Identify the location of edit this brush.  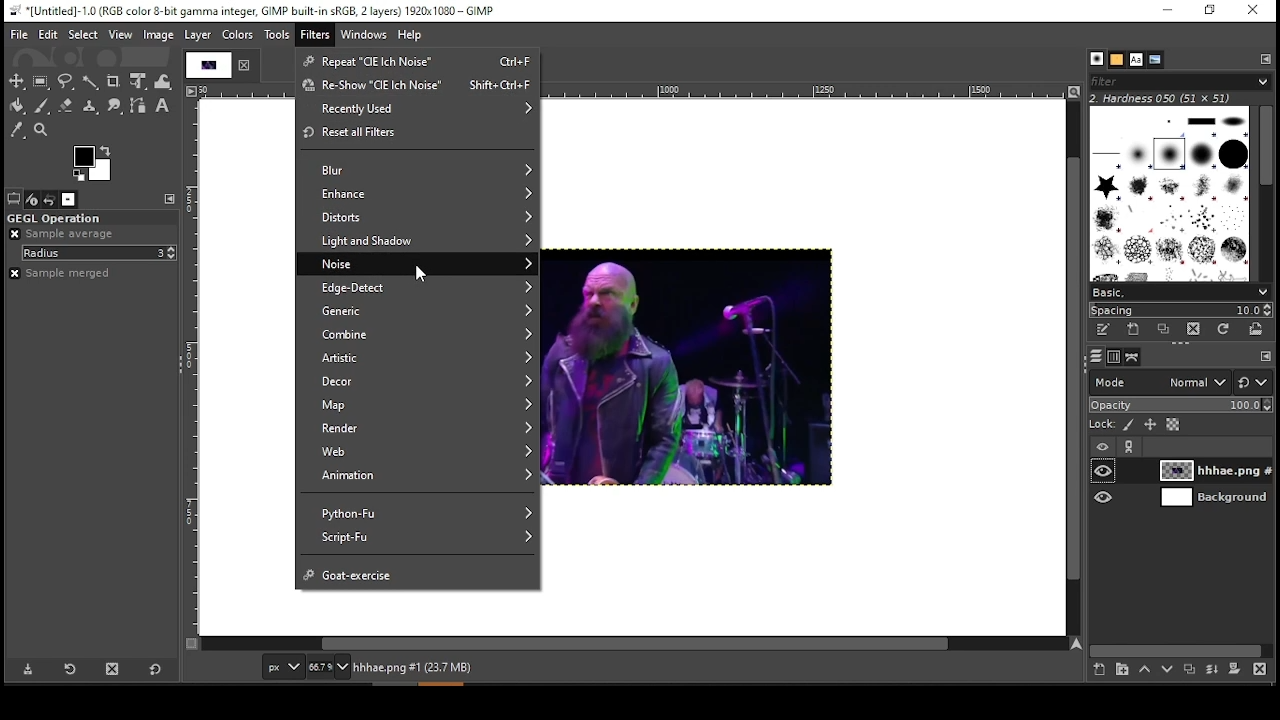
(1107, 332).